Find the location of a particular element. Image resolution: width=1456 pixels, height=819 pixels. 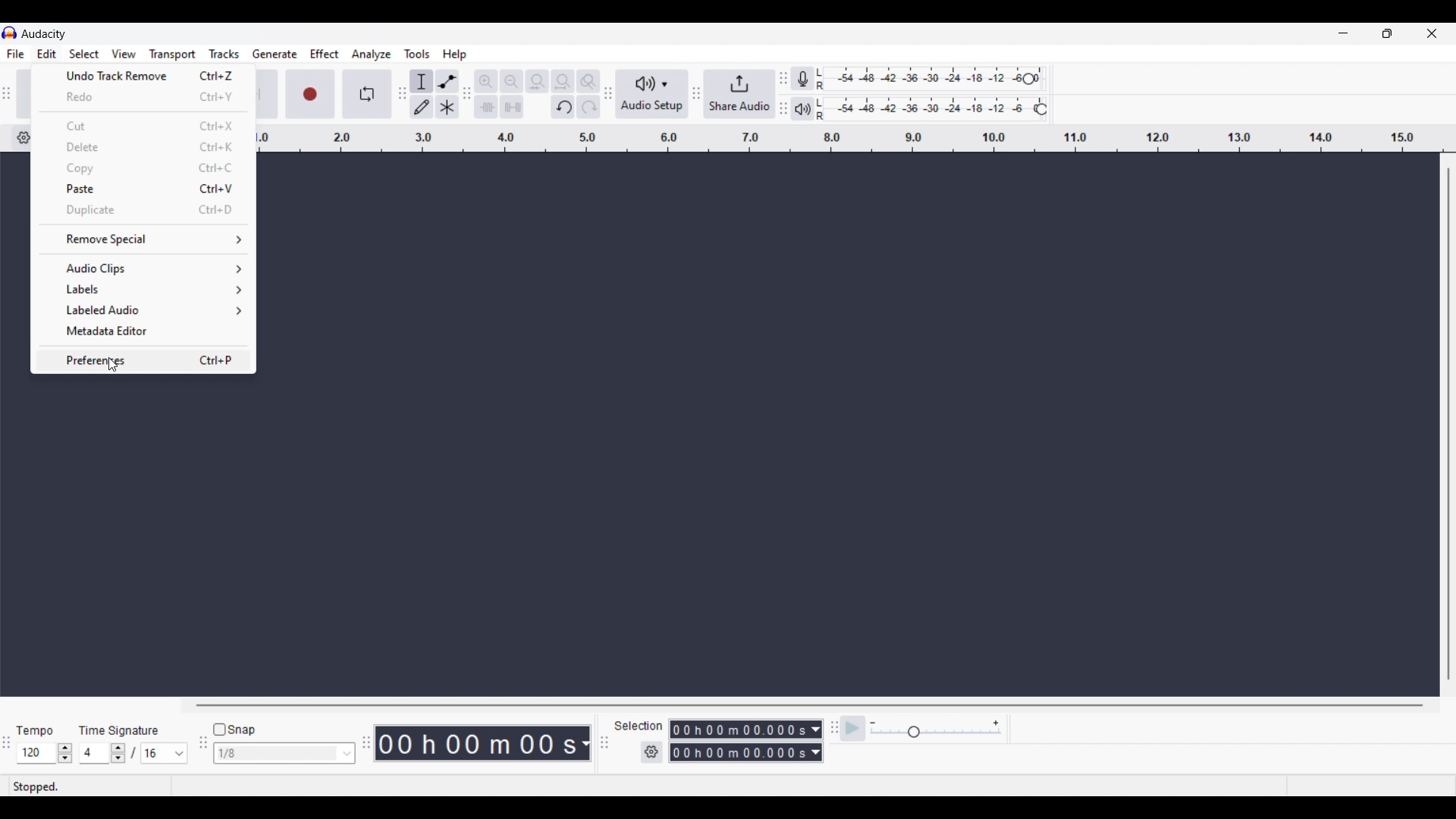

Timeline options is located at coordinates (20, 138).